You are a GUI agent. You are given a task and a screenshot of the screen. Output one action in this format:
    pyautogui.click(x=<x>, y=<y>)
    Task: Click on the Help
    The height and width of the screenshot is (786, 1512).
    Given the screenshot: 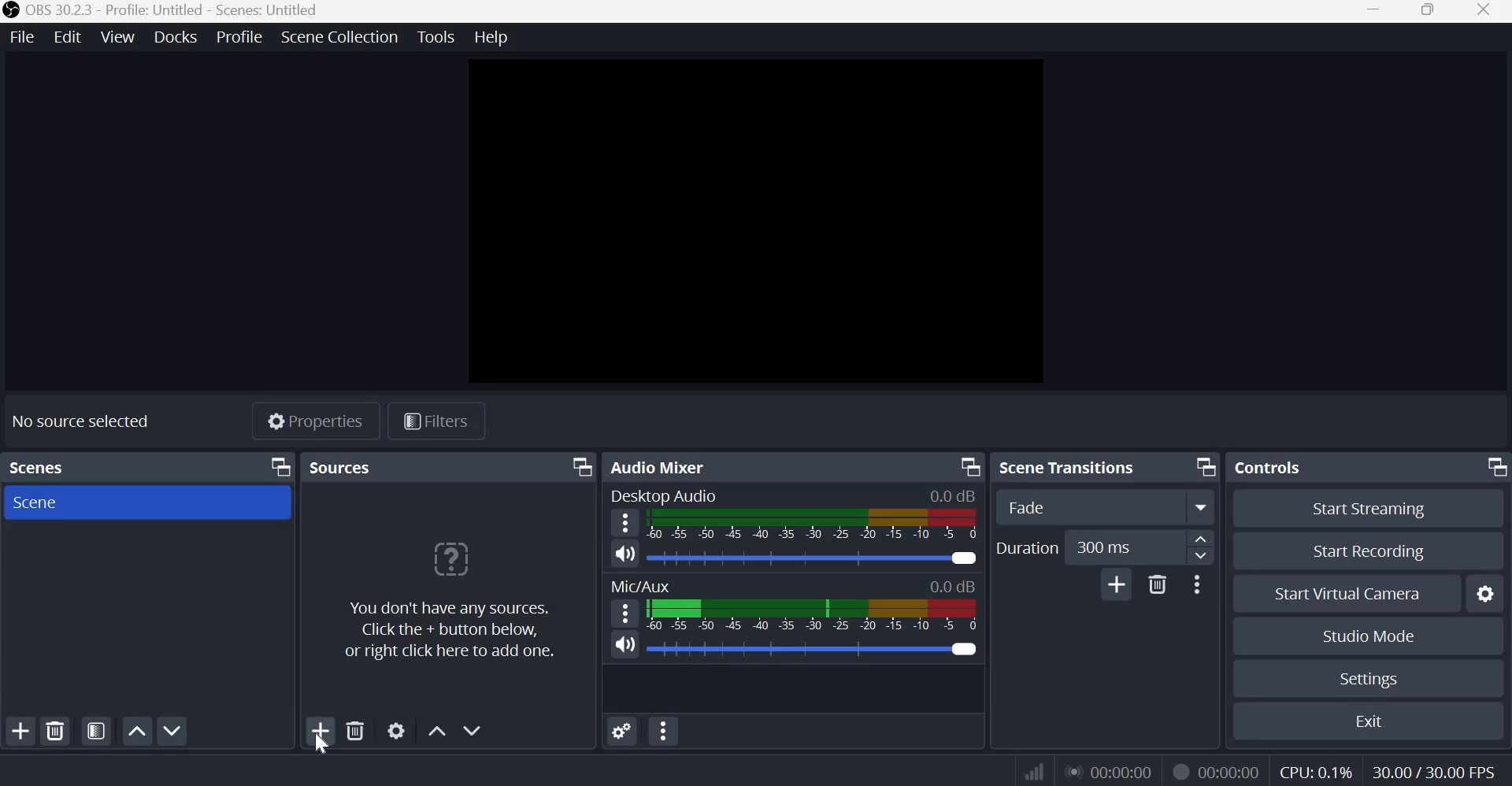 What is the action you would take?
    pyautogui.click(x=493, y=38)
    